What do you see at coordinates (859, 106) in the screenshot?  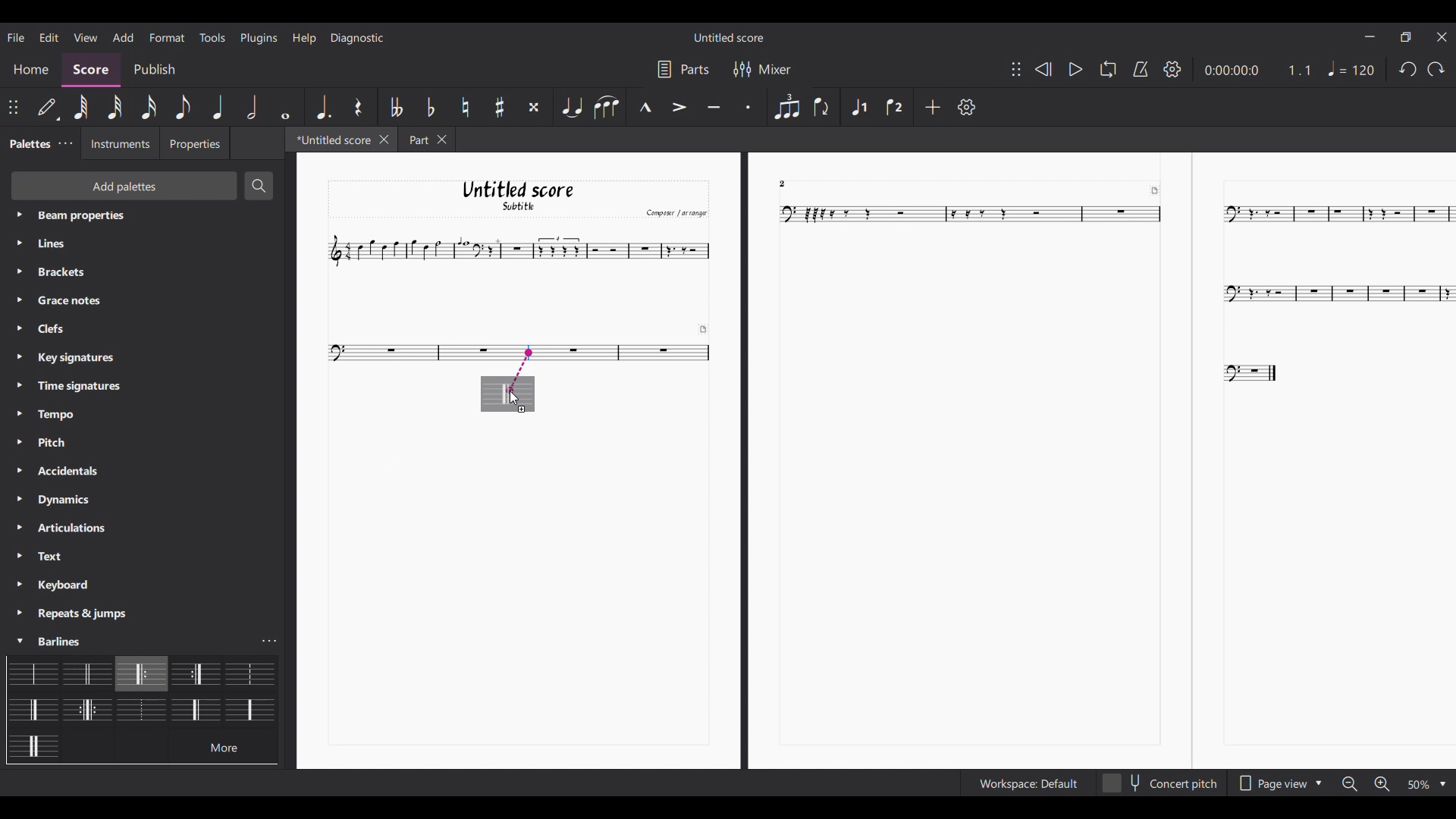 I see `Voice 1` at bounding box center [859, 106].